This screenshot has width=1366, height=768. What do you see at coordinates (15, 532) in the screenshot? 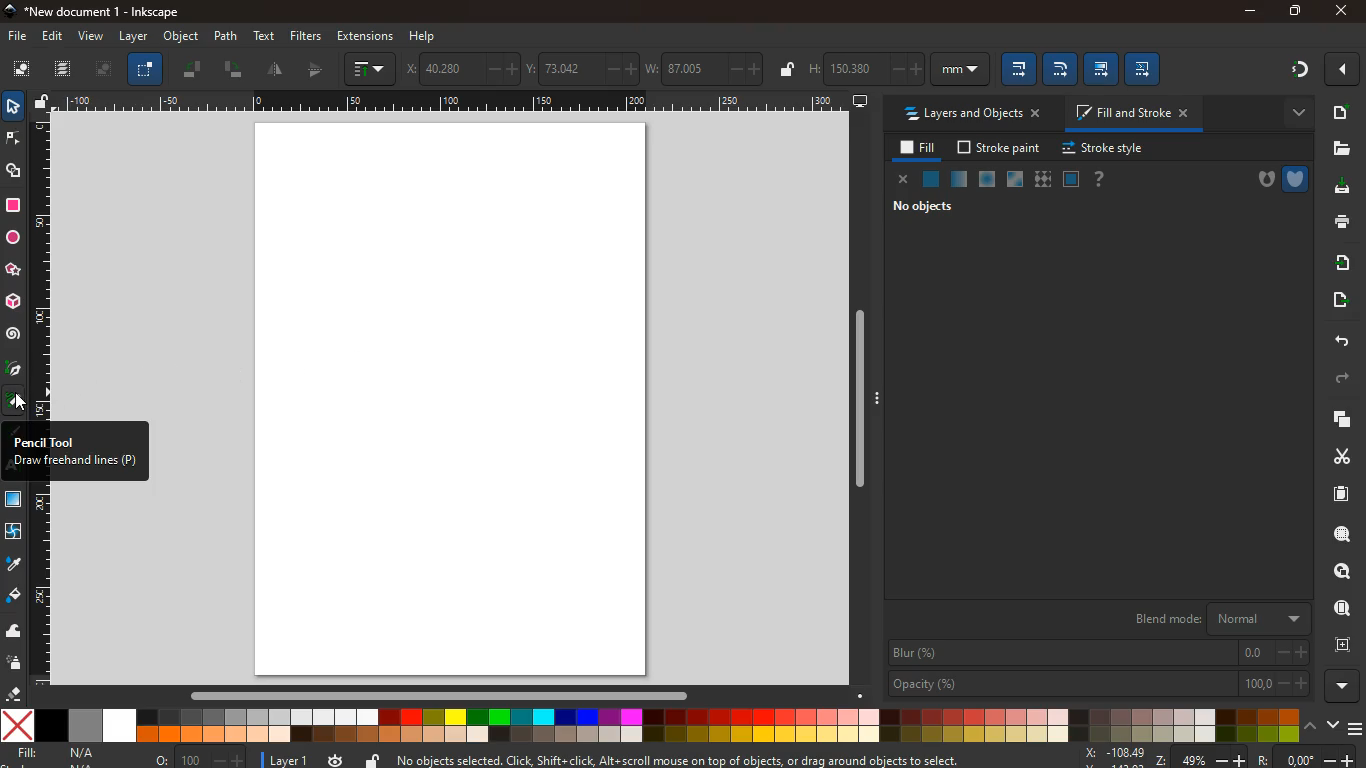
I see `twist` at bounding box center [15, 532].